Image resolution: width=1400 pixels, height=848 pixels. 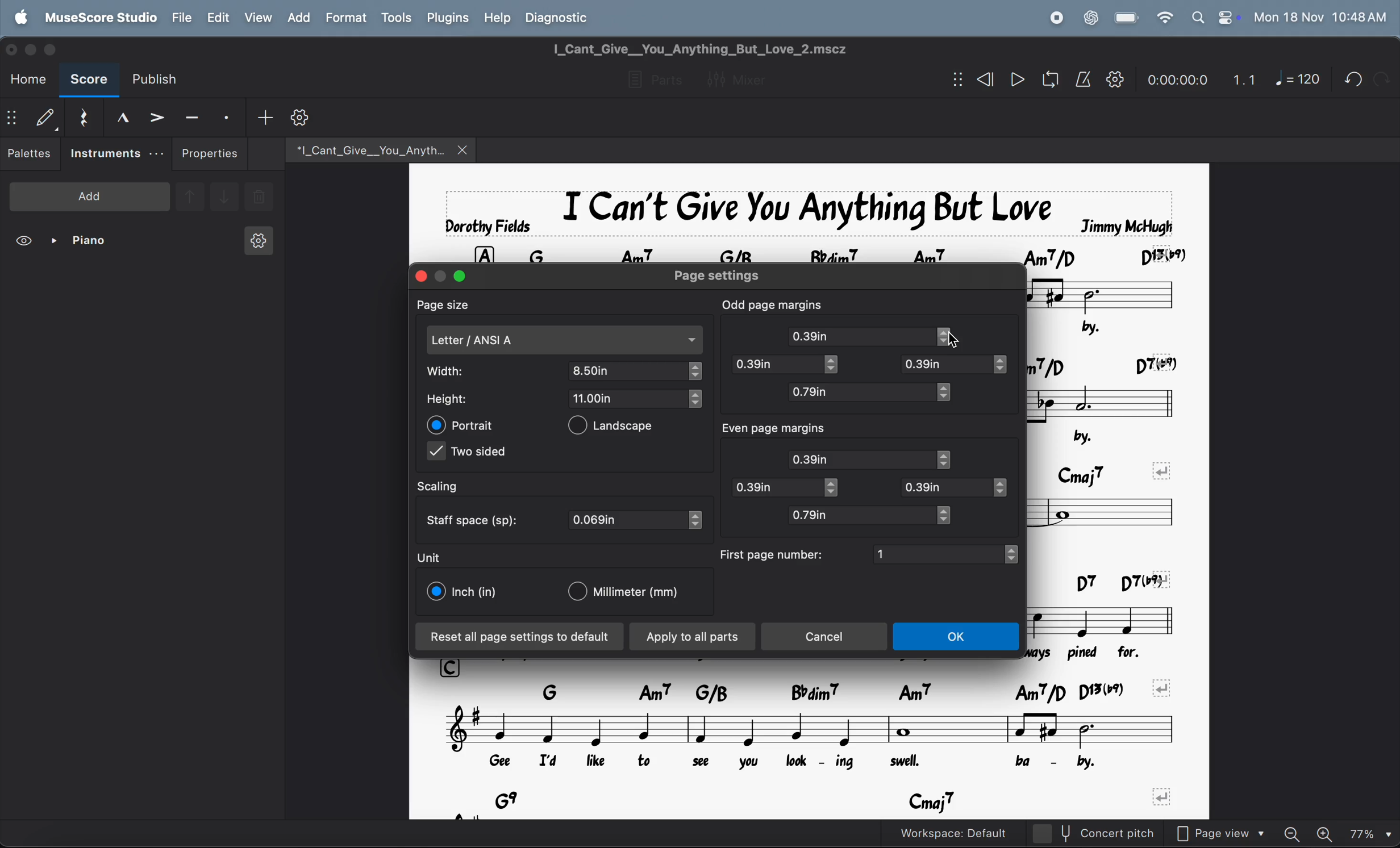 I want to click on notes, so click(x=1111, y=515).